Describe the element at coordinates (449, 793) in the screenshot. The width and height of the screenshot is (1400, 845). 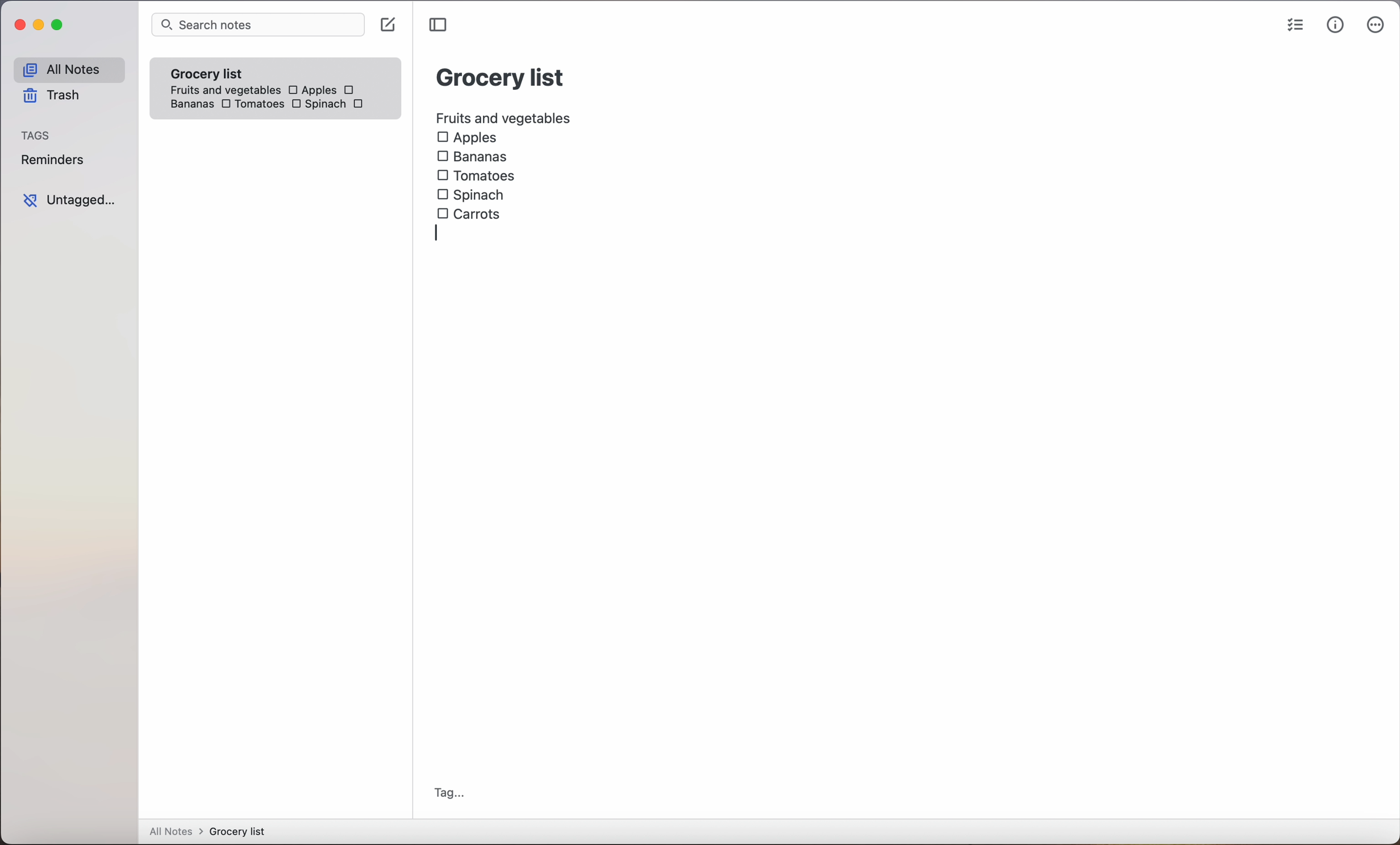
I see `tag` at that location.